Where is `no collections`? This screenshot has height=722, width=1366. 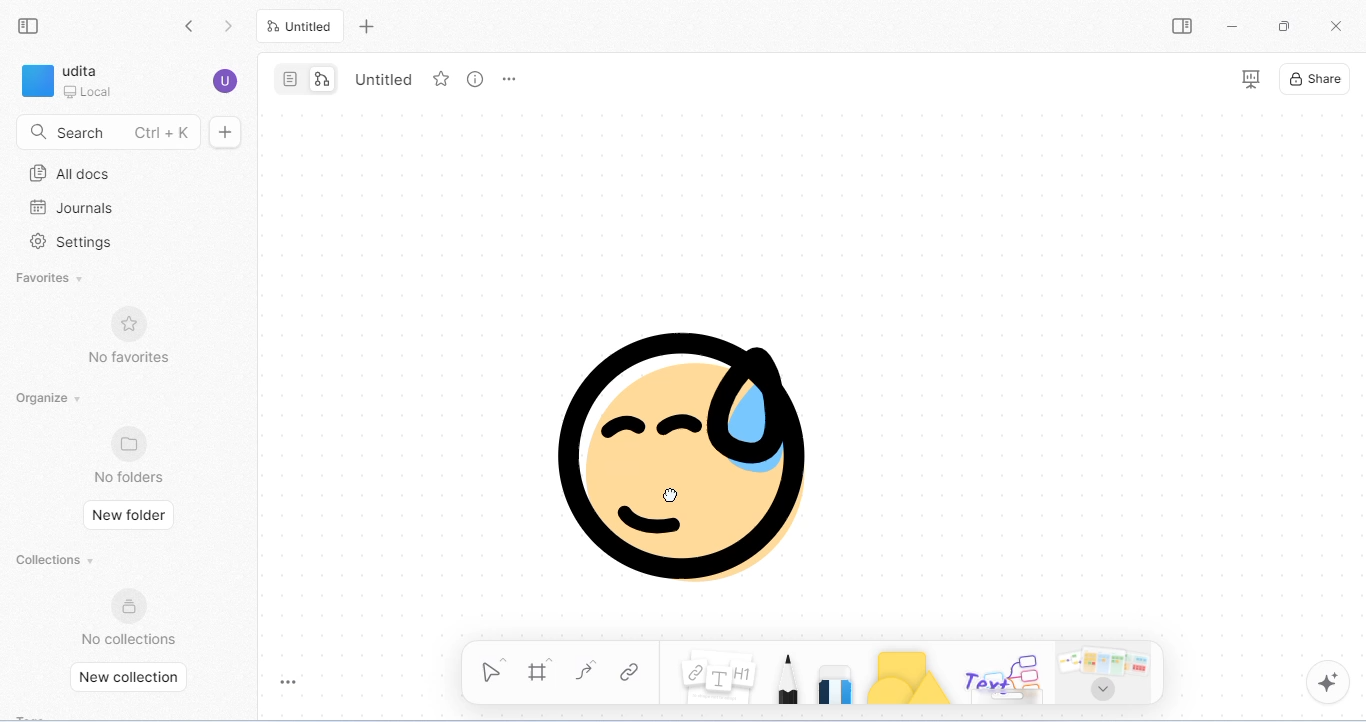 no collections is located at coordinates (129, 616).